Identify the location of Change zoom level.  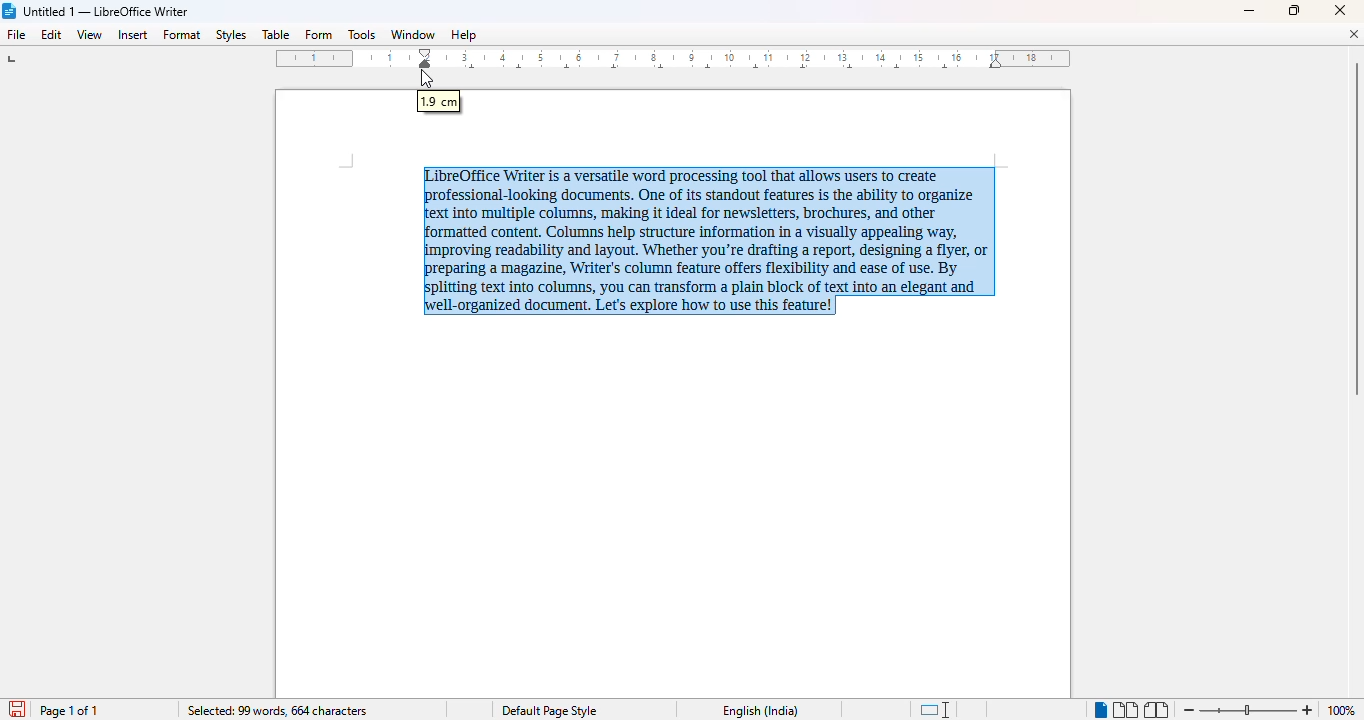
(1248, 707).